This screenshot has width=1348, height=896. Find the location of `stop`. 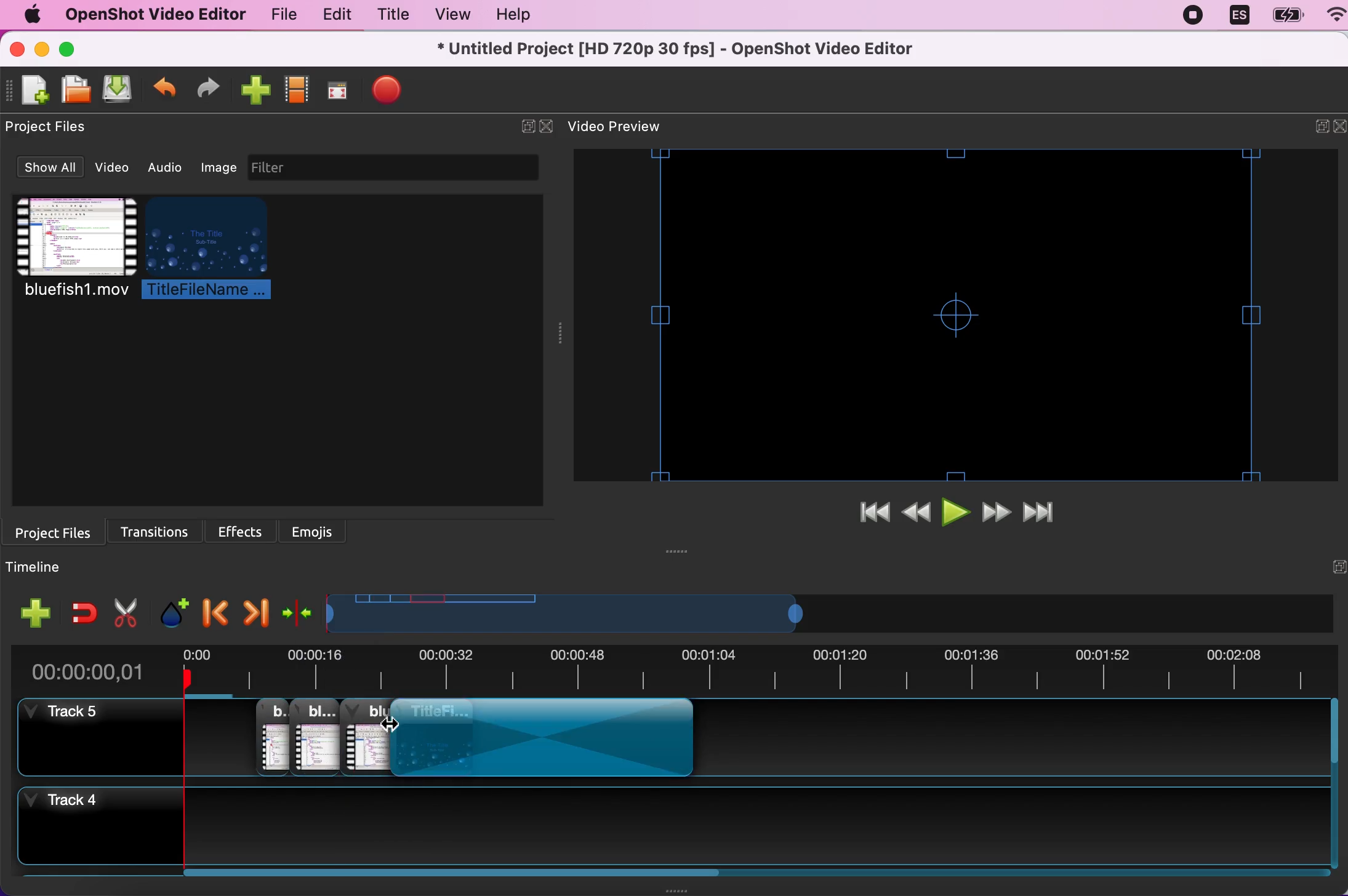

stop is located at coordinates (387, 89).